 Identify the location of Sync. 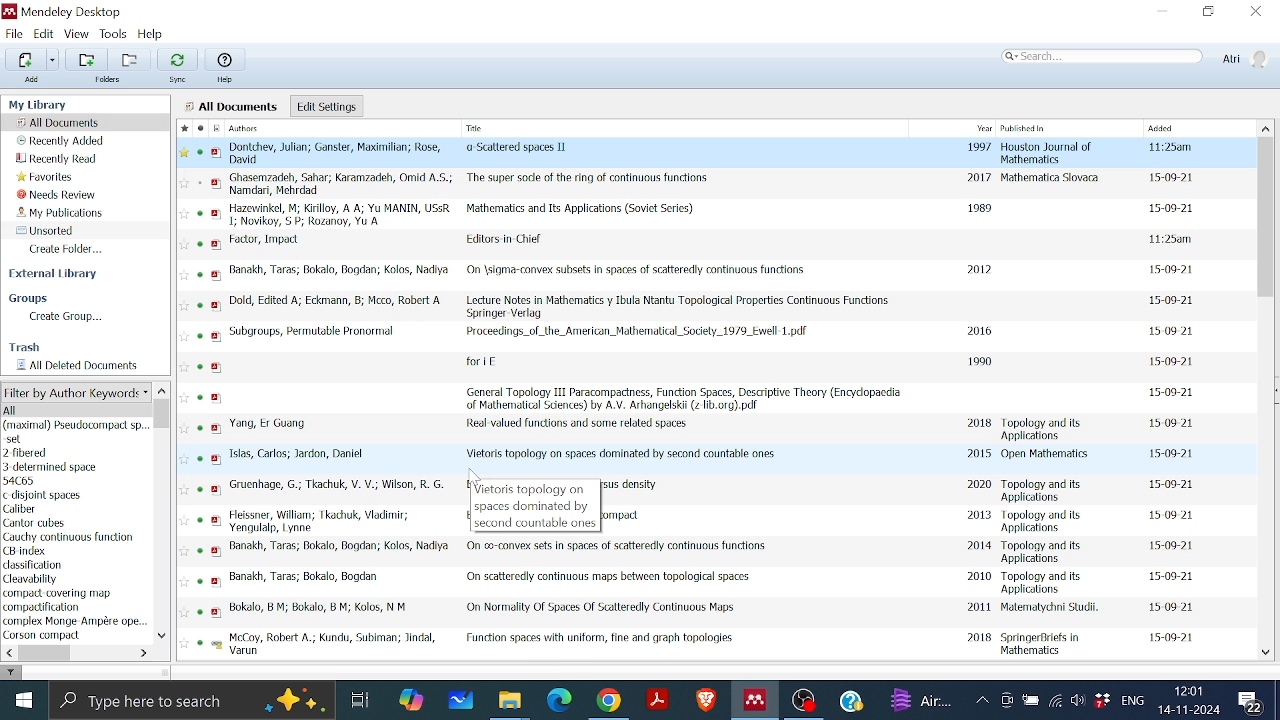
(177, 81).